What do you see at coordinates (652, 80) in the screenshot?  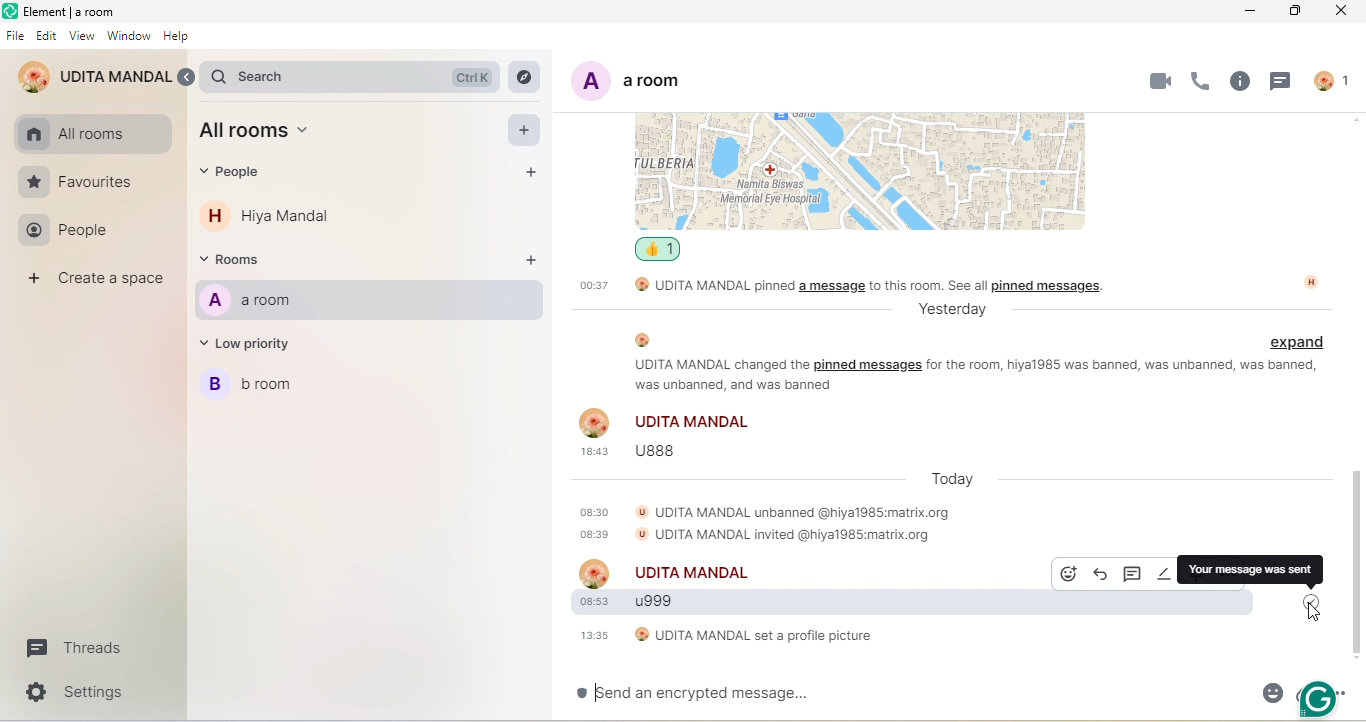 I see `A a room` at bounding box center [652, 80].